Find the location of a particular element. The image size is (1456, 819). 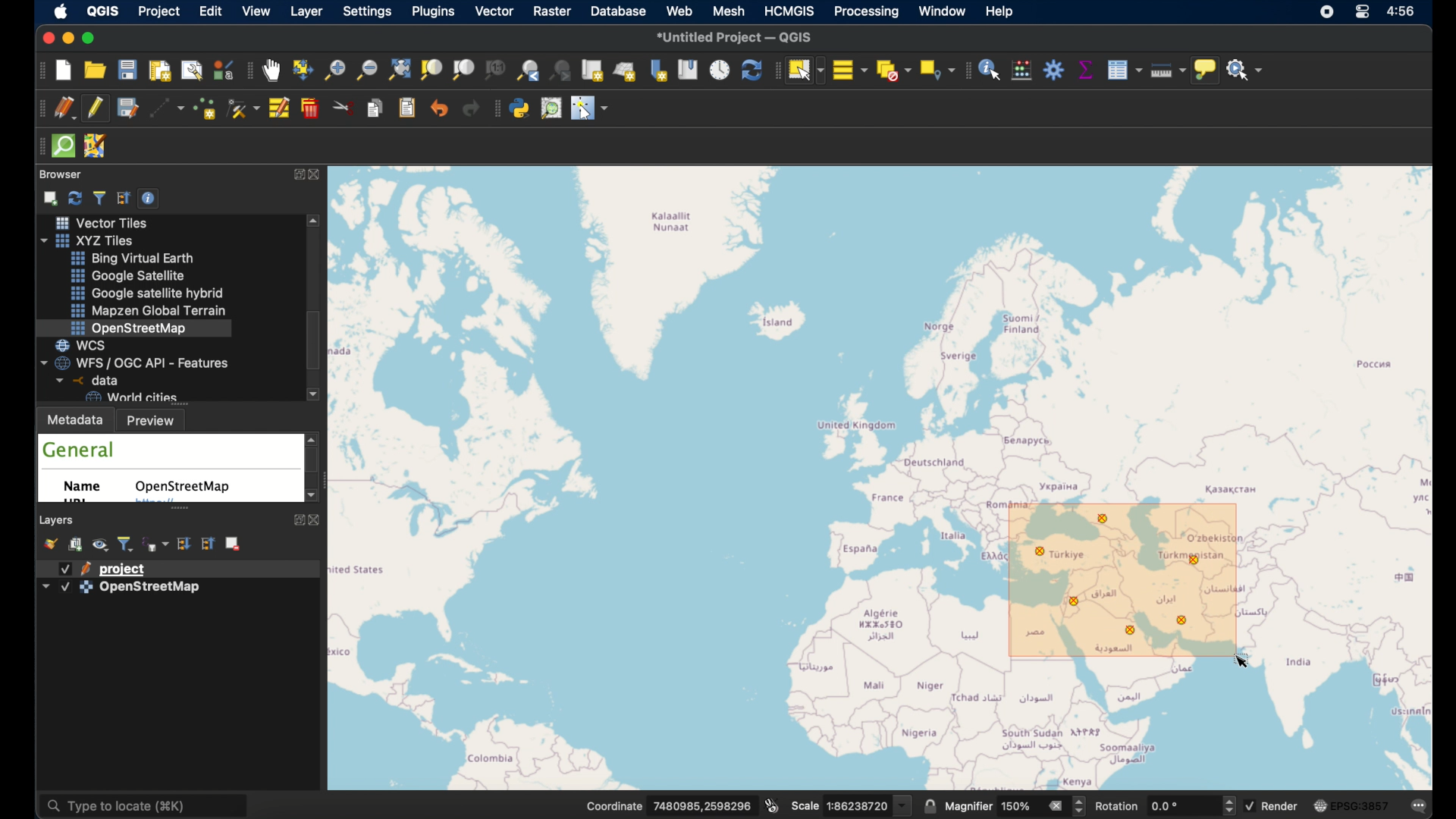

scroll down arrow is located at coordinates (315, 395).